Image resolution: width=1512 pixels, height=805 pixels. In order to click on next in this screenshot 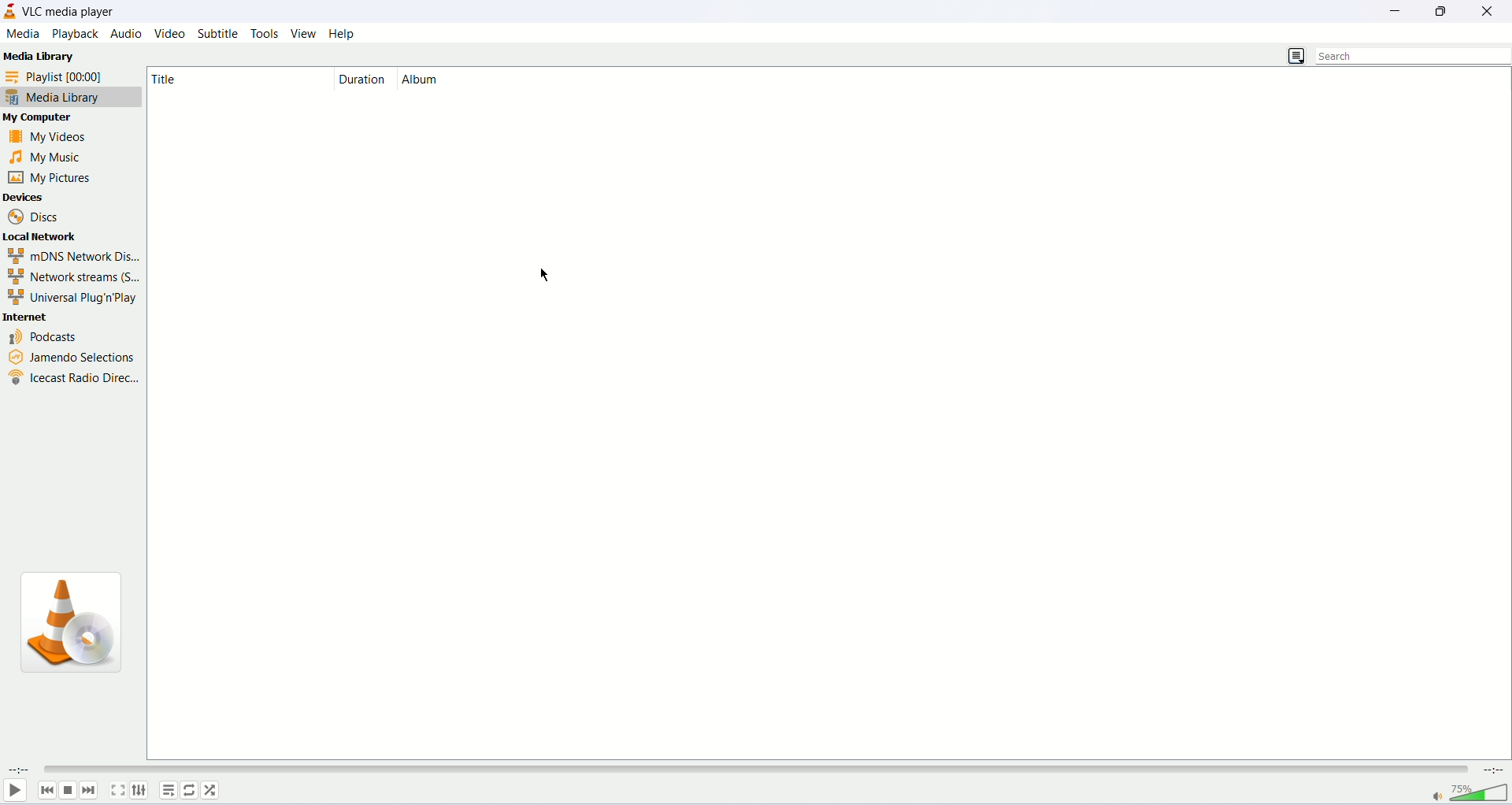, I will do `click(91, 791)`.